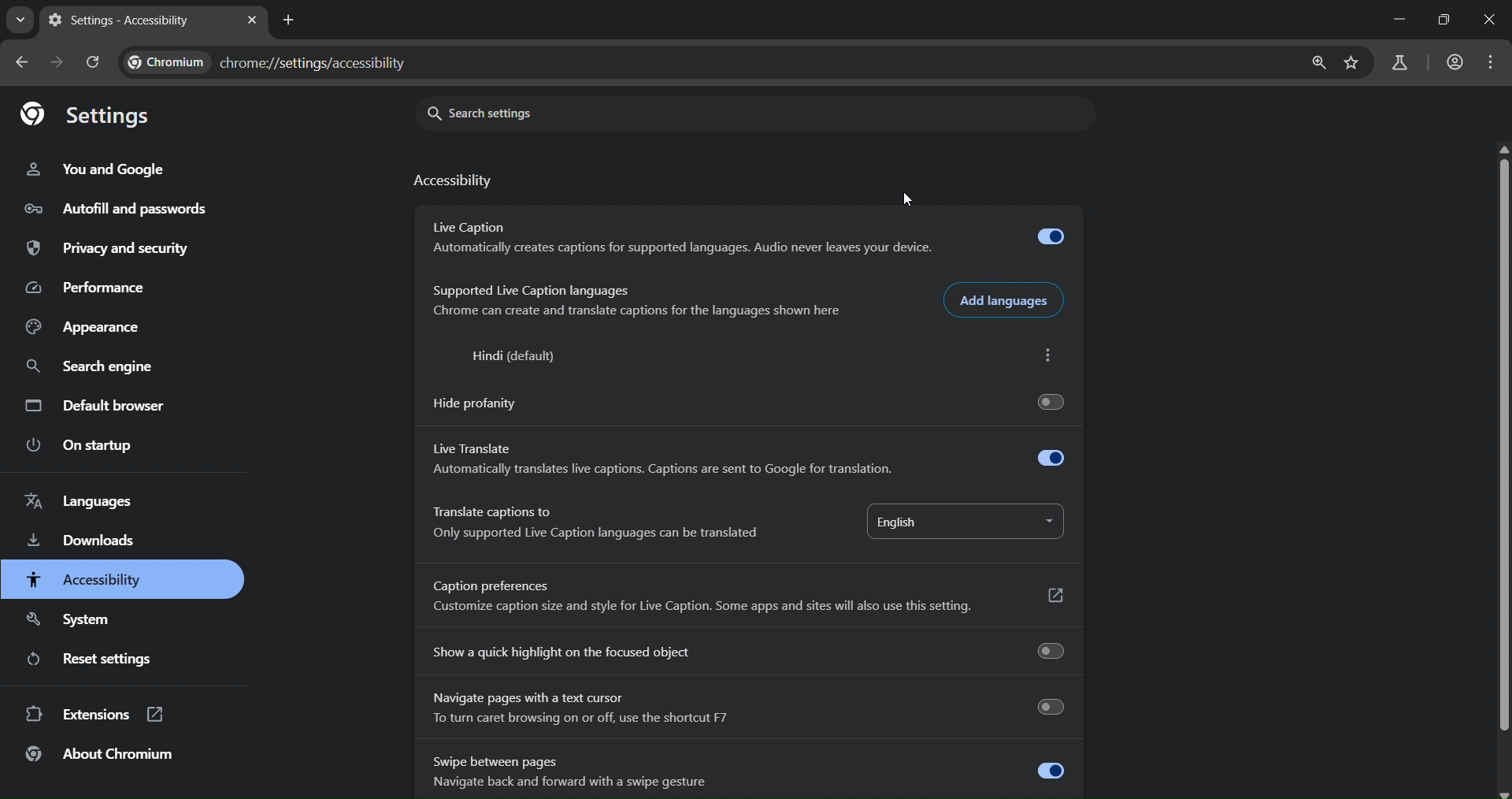 Image resolution: width=1512 pixels, height=799 pixels. I want to click on search engine, so click(93, 367).